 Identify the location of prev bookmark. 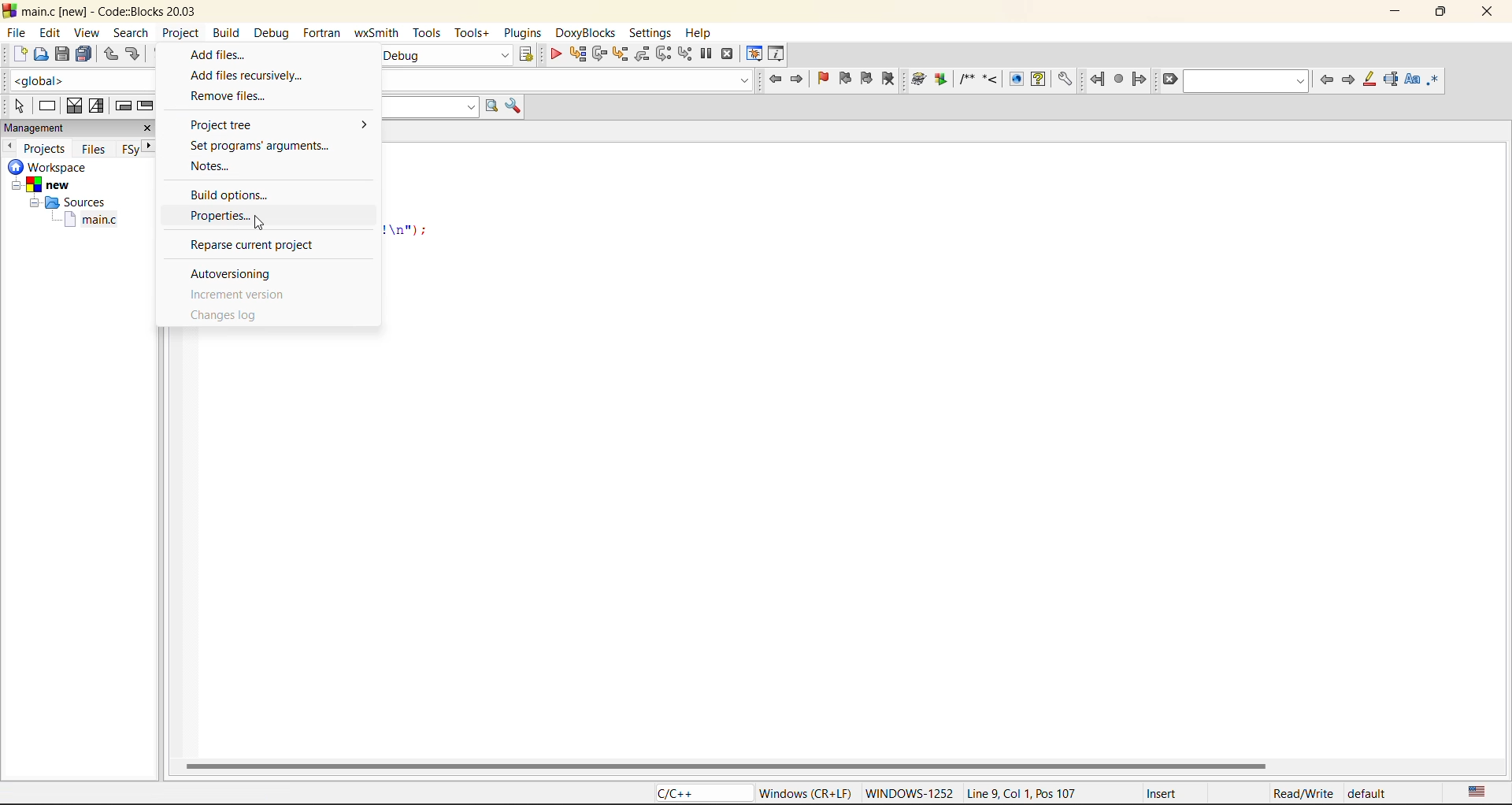
(845, 80).